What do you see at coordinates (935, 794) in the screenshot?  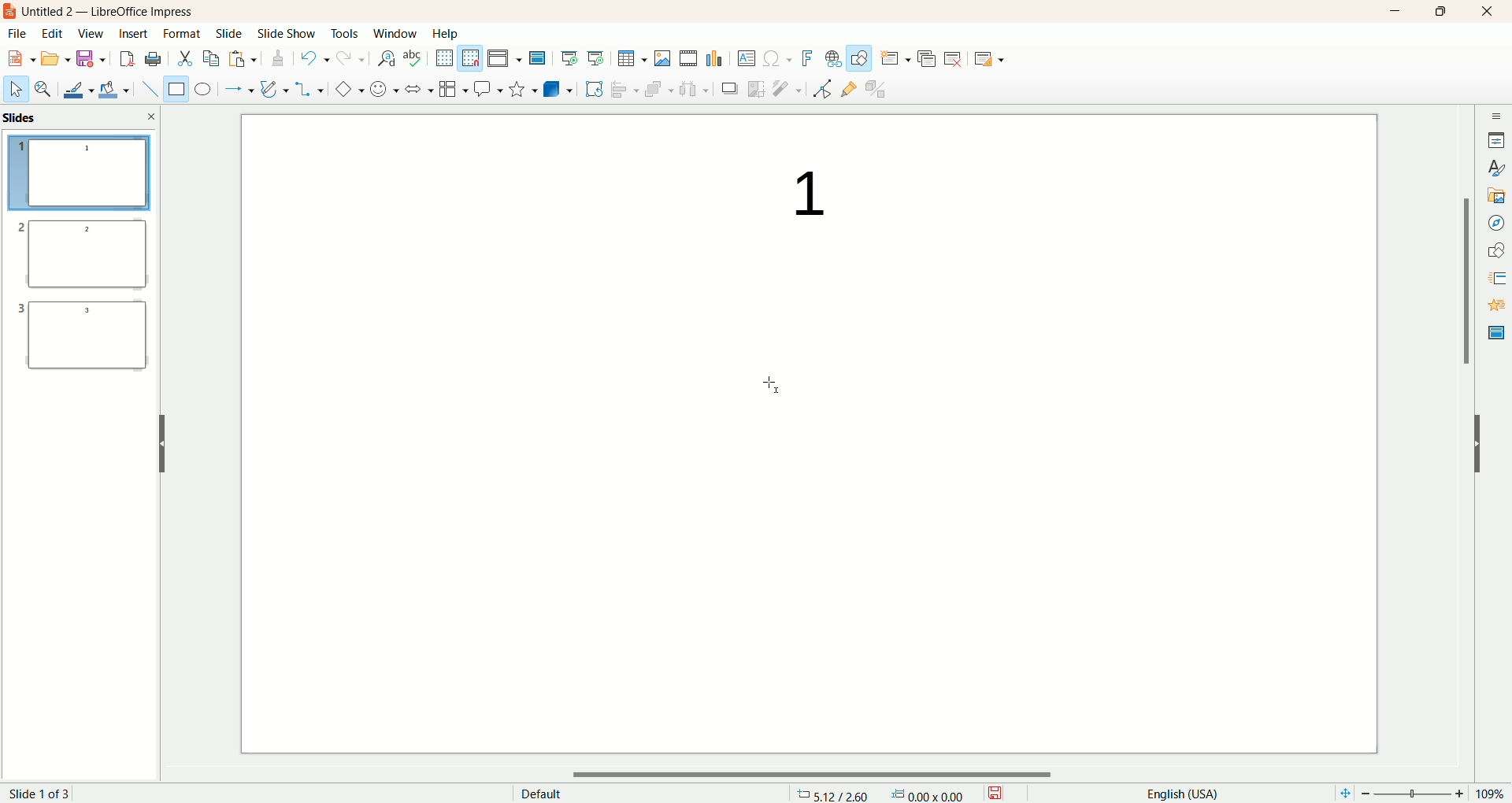 I see `anchor point` at bounding box center [935, 794].